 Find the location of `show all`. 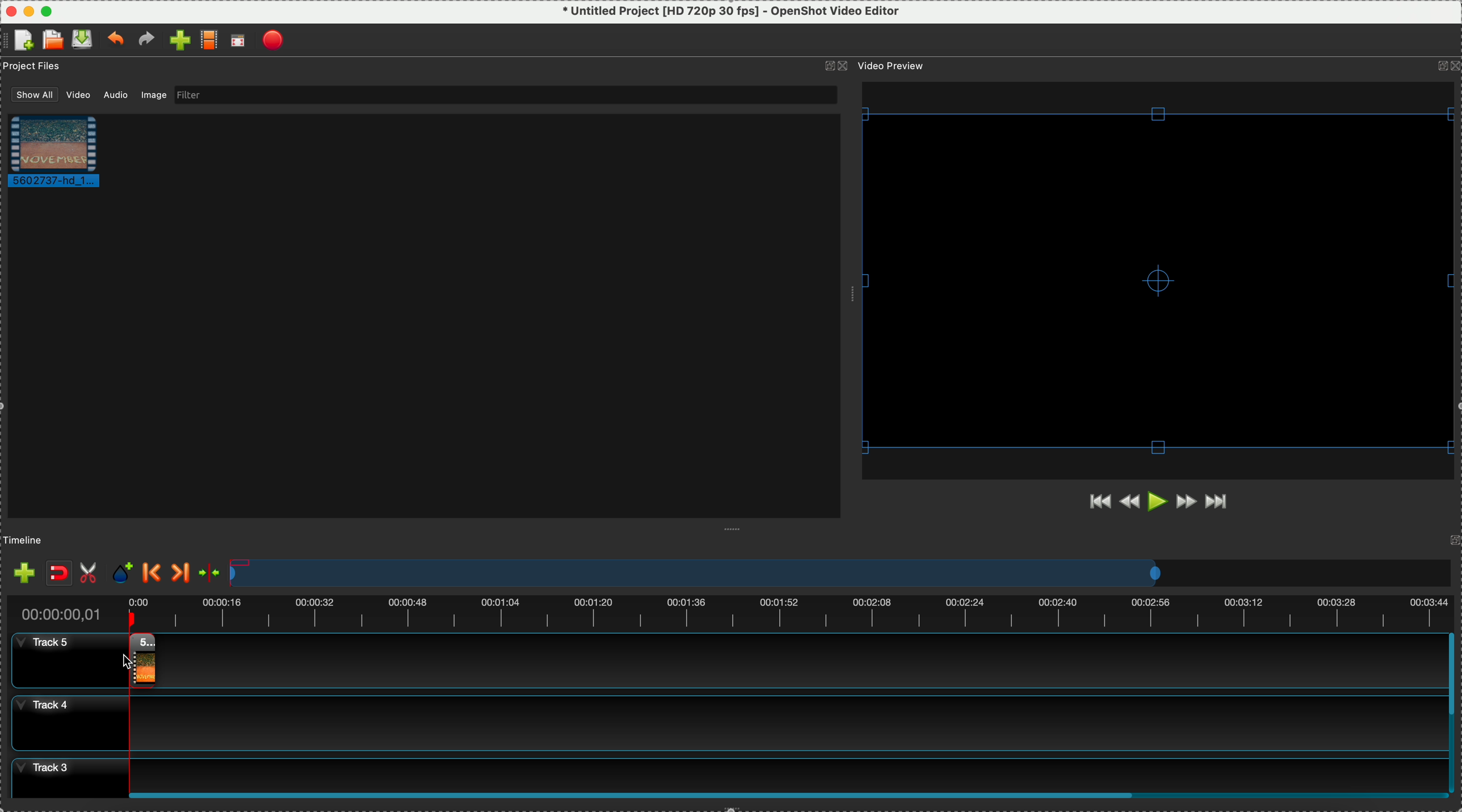

show all is located at coordinates (30, 94).